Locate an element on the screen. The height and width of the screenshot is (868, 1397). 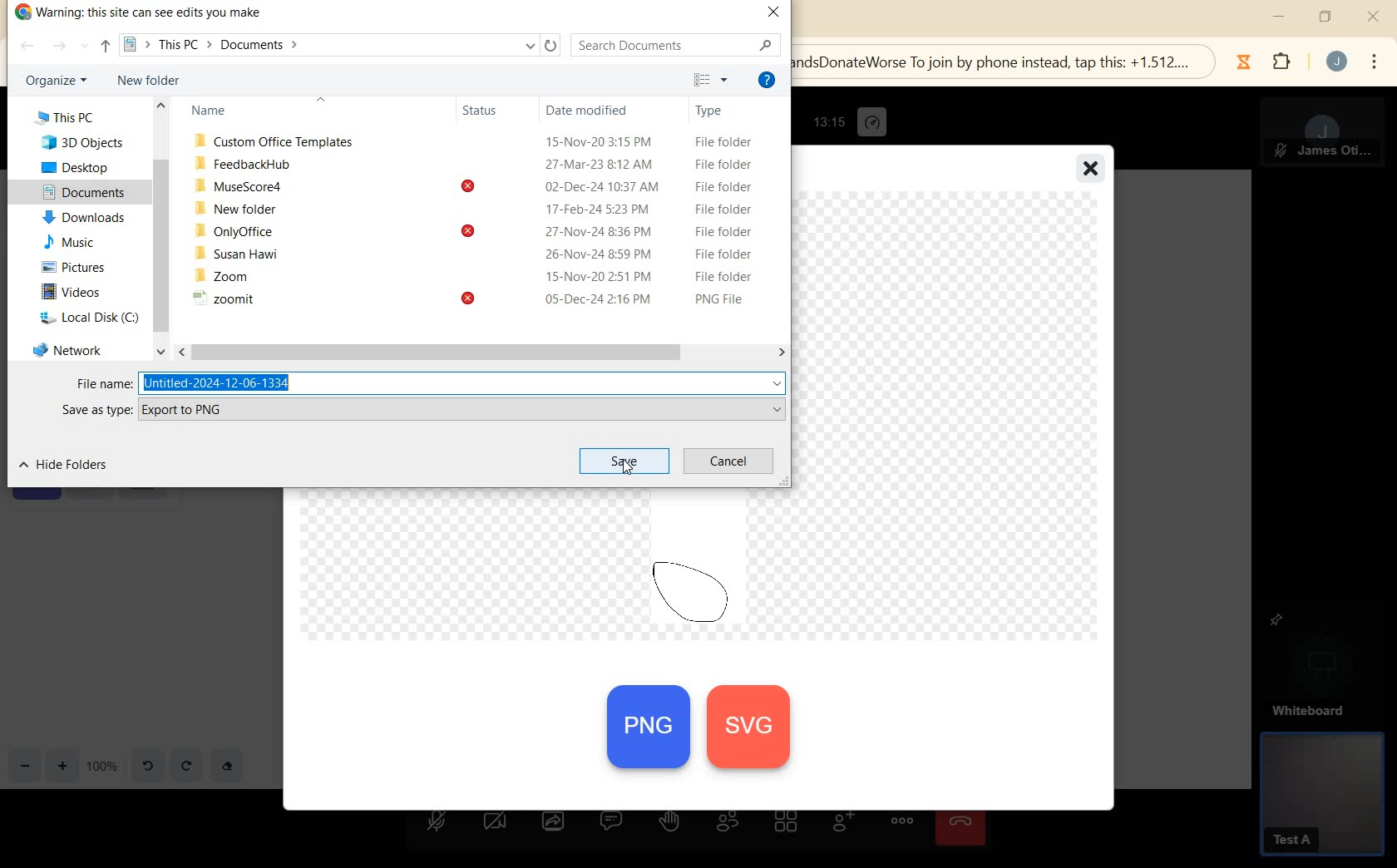
OnlyOffice 9 27-Nov-24 8:36 PM File folder is located at coordinates (261, 229).